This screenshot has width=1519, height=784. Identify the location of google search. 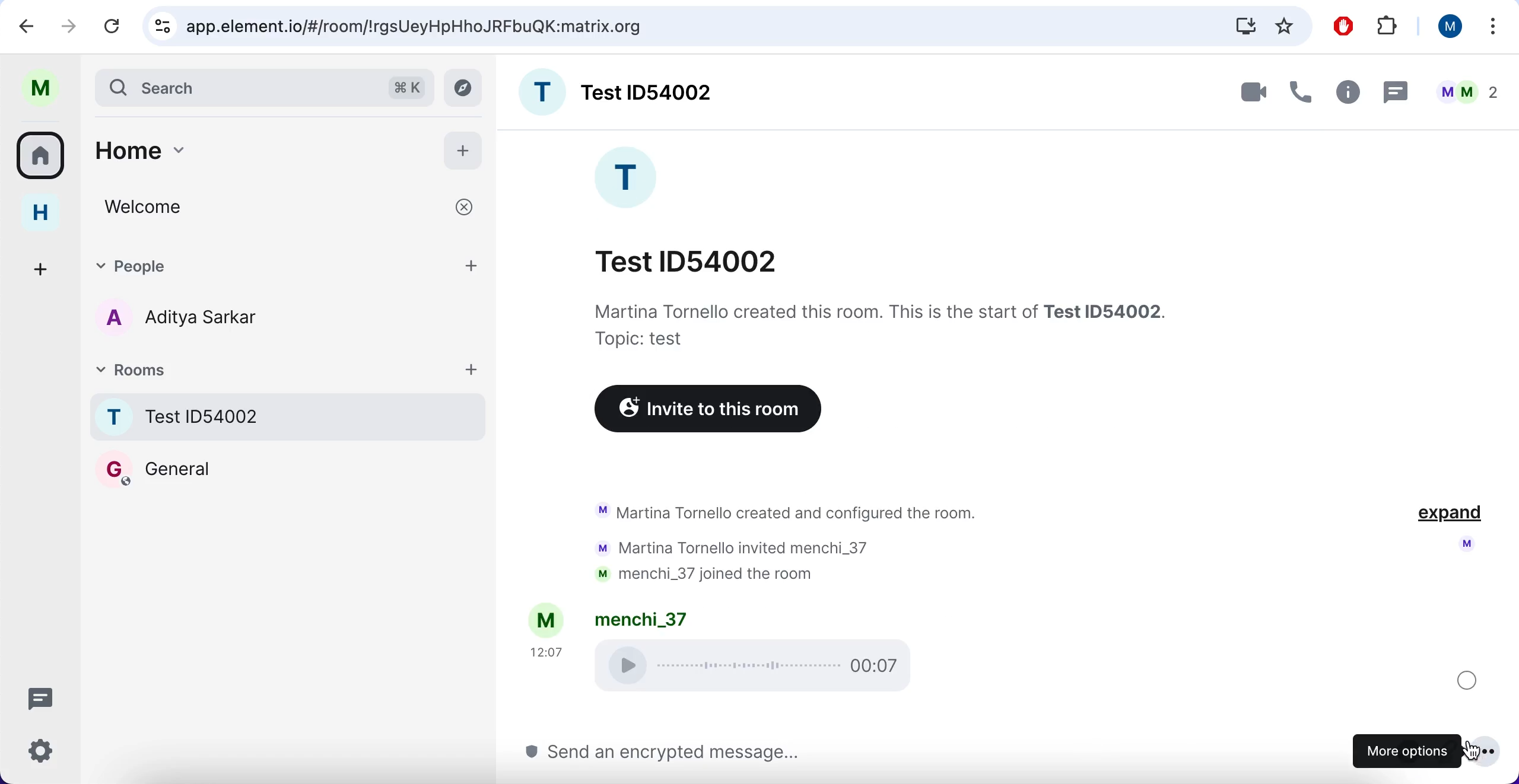
(418, 27).